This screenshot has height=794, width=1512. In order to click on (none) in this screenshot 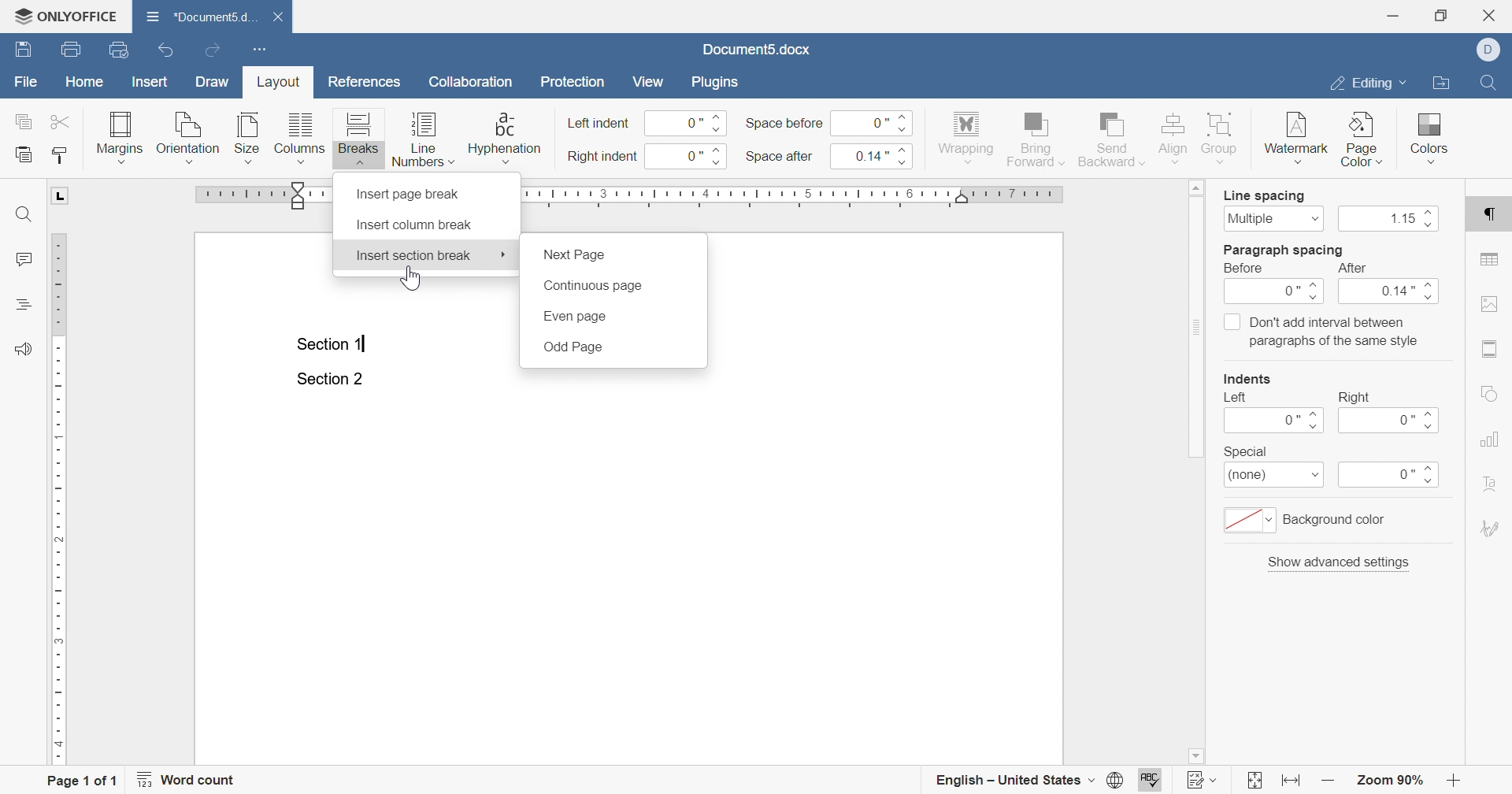, I will do `click(1275, 477)`.